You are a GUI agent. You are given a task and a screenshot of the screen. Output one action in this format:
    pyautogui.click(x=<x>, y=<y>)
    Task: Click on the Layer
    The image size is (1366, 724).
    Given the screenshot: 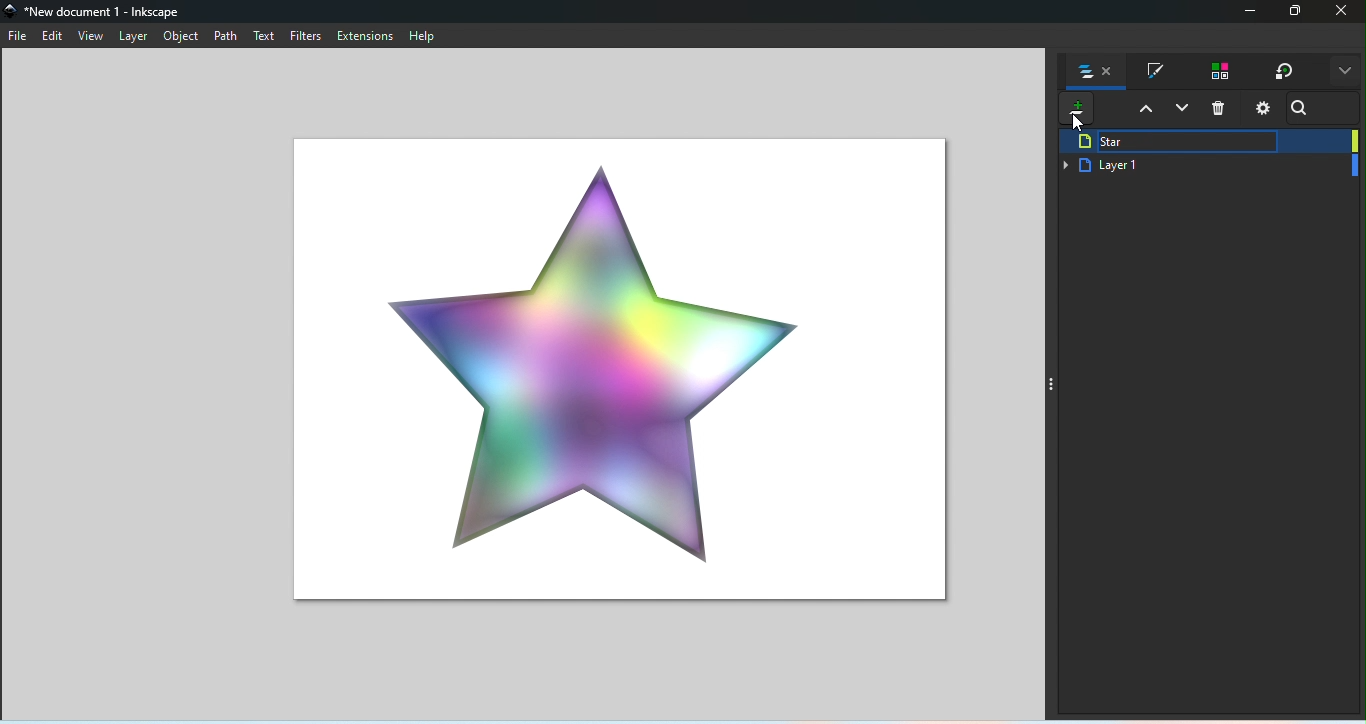 What is the action you would take?
    pyautogui.click(x=135, y=35)
    